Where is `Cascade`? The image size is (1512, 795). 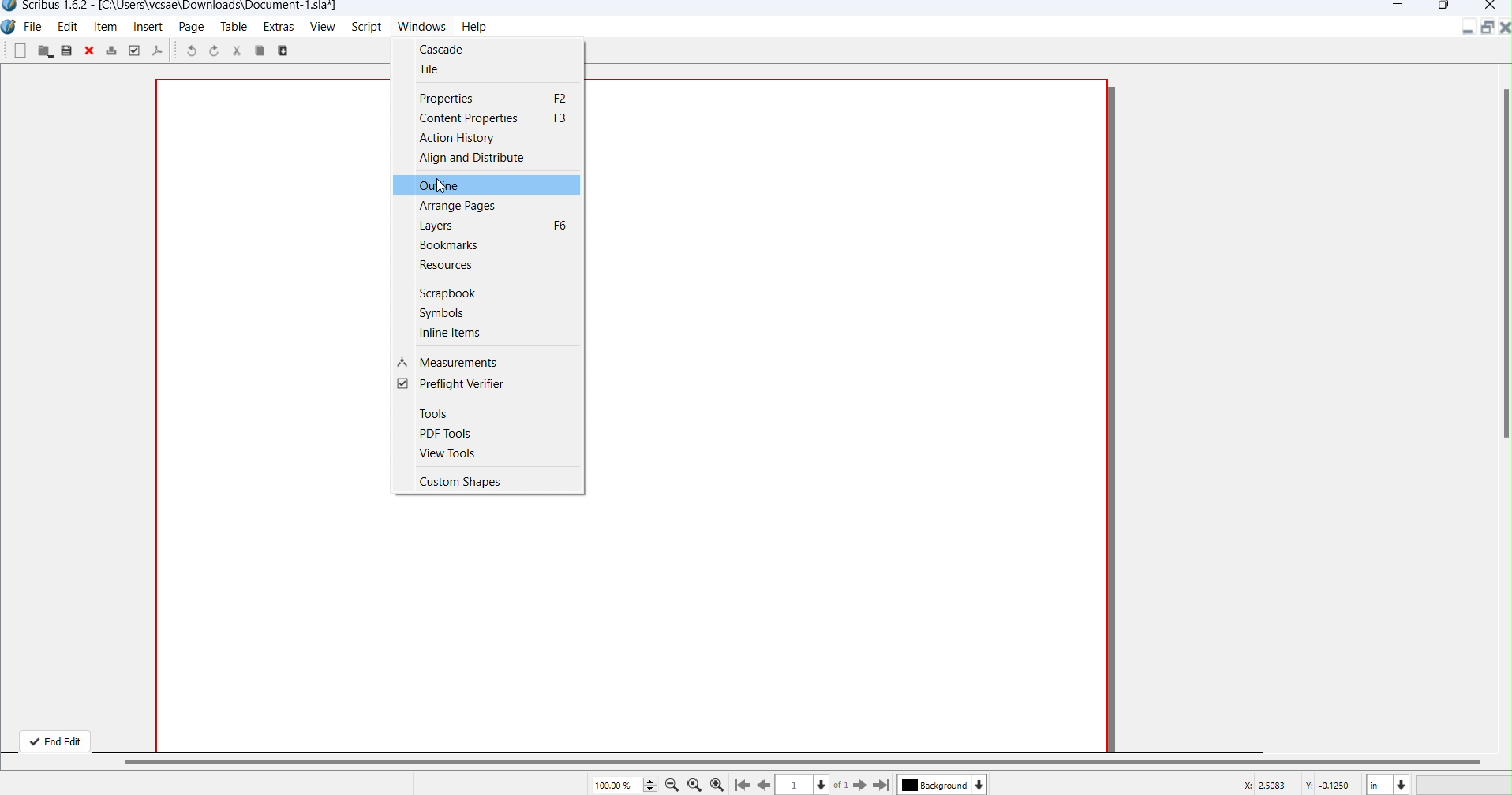
Cascade is located at coordinates (451, 48).